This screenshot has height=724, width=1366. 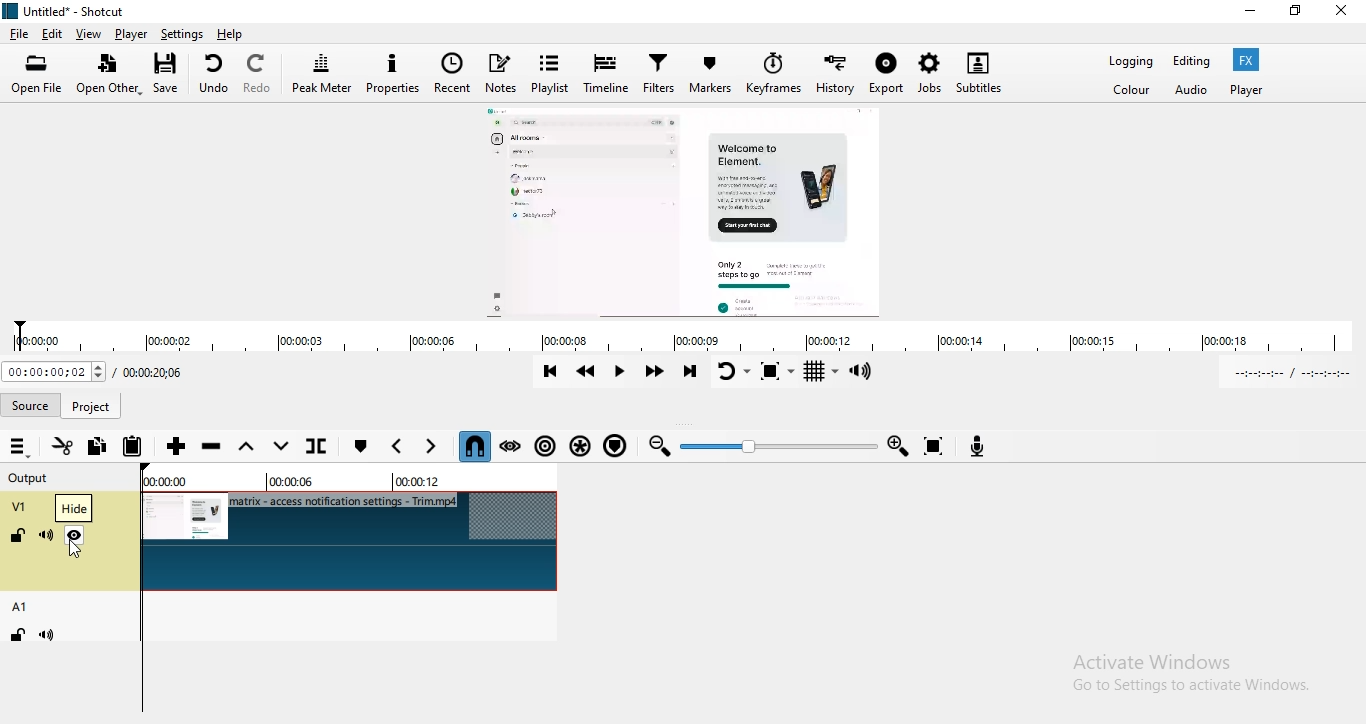 What do you see at coordinates (260, 73) in the screenshot?
I see `Redo` at bounding box center [260, 73].